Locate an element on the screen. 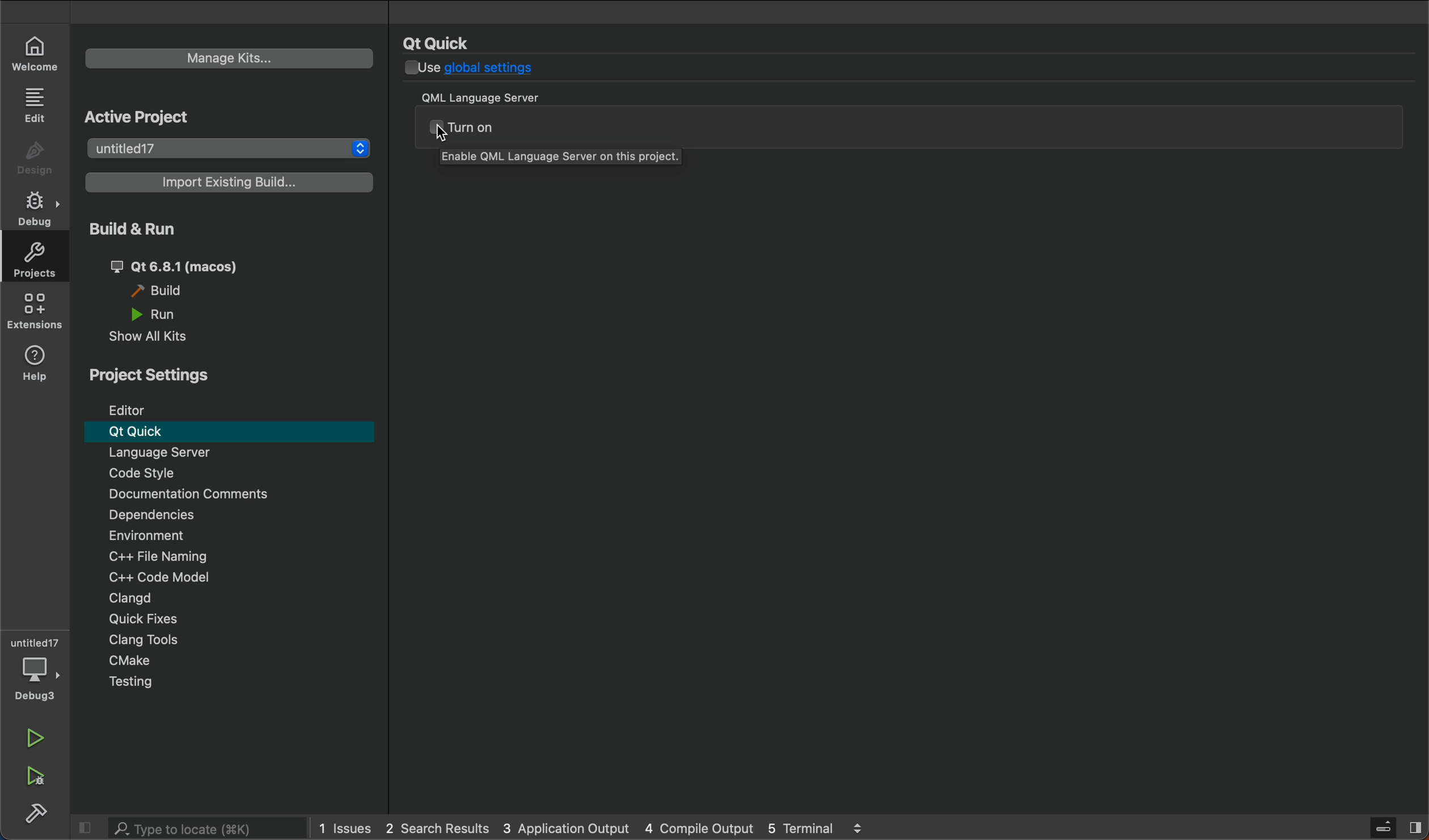 This screenshot has width=1429, height=840. help is located at coordinates (36, 363).